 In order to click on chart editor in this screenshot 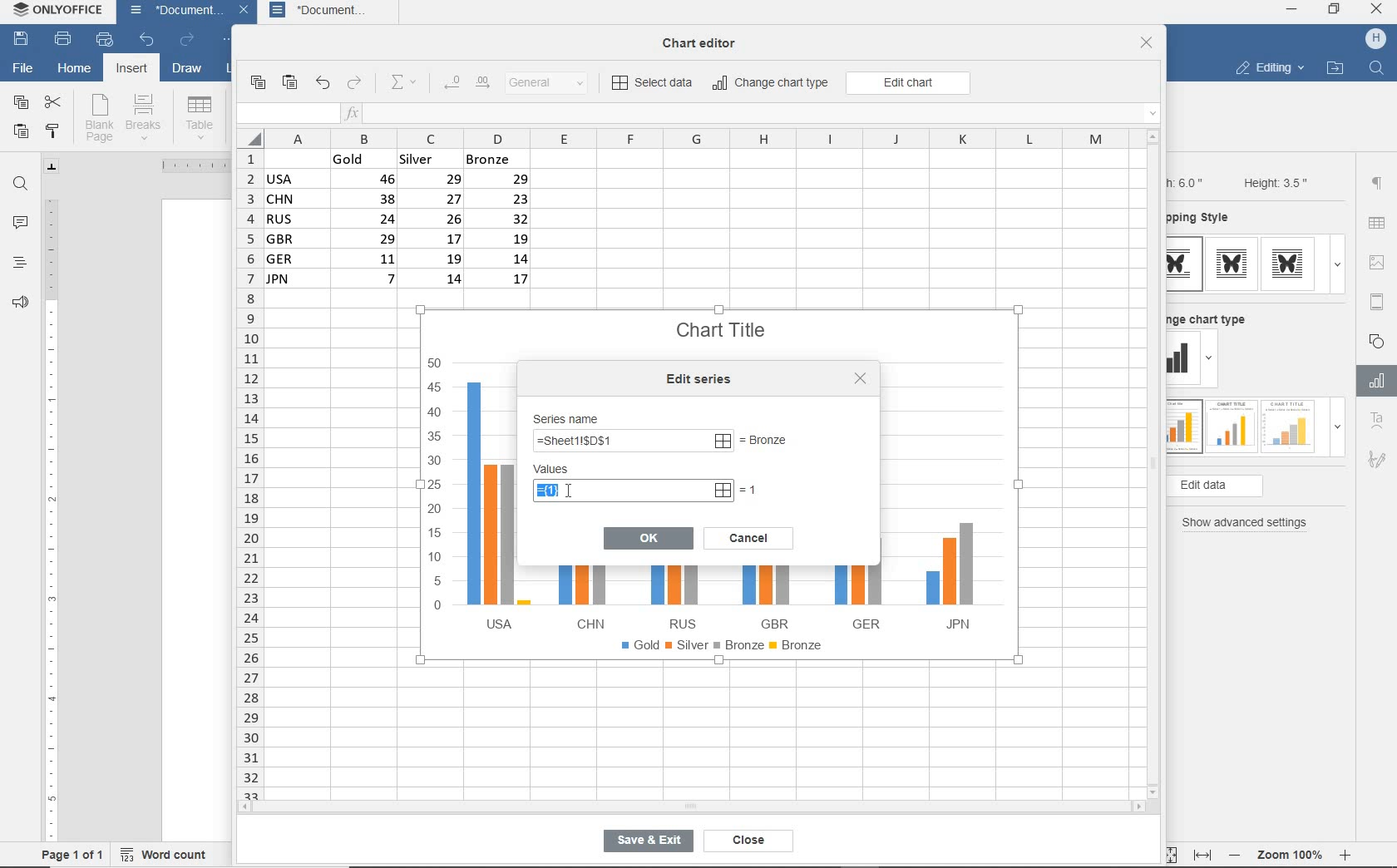, I will do `click(705, 38)`.